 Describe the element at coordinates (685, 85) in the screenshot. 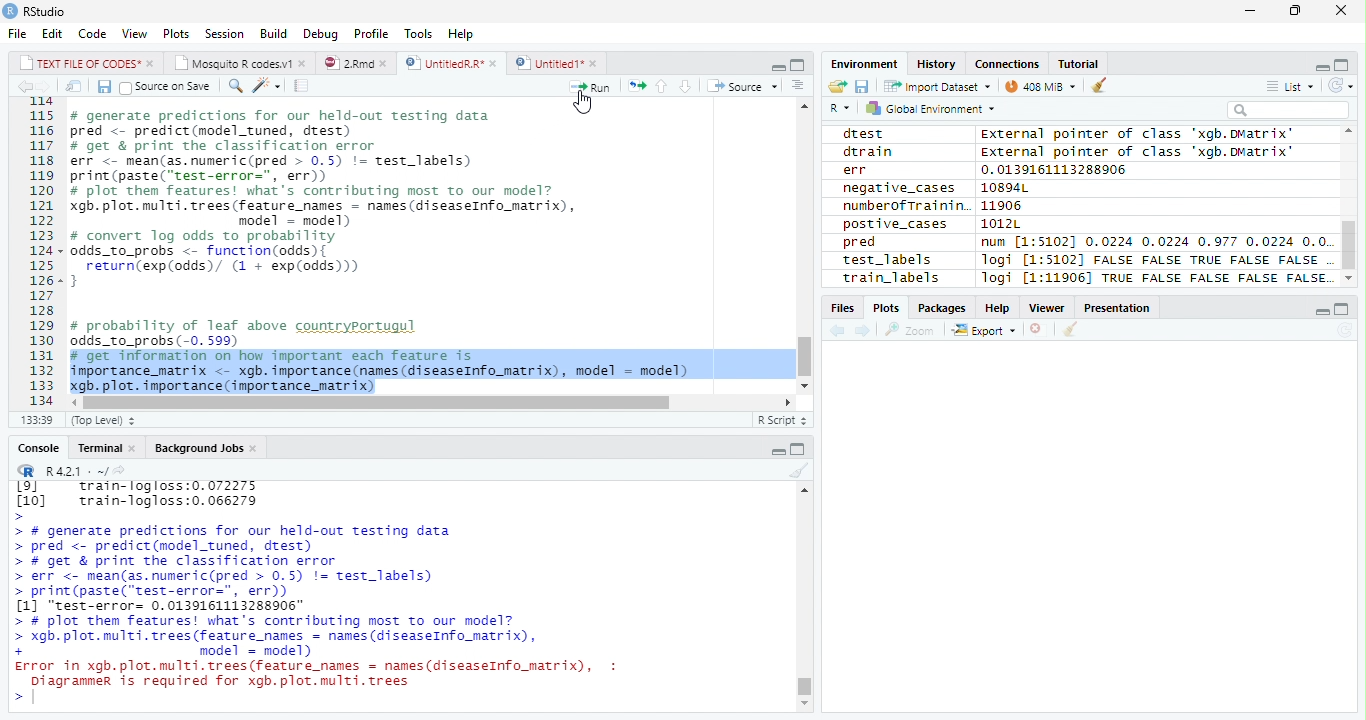

I see `Down` at that location.